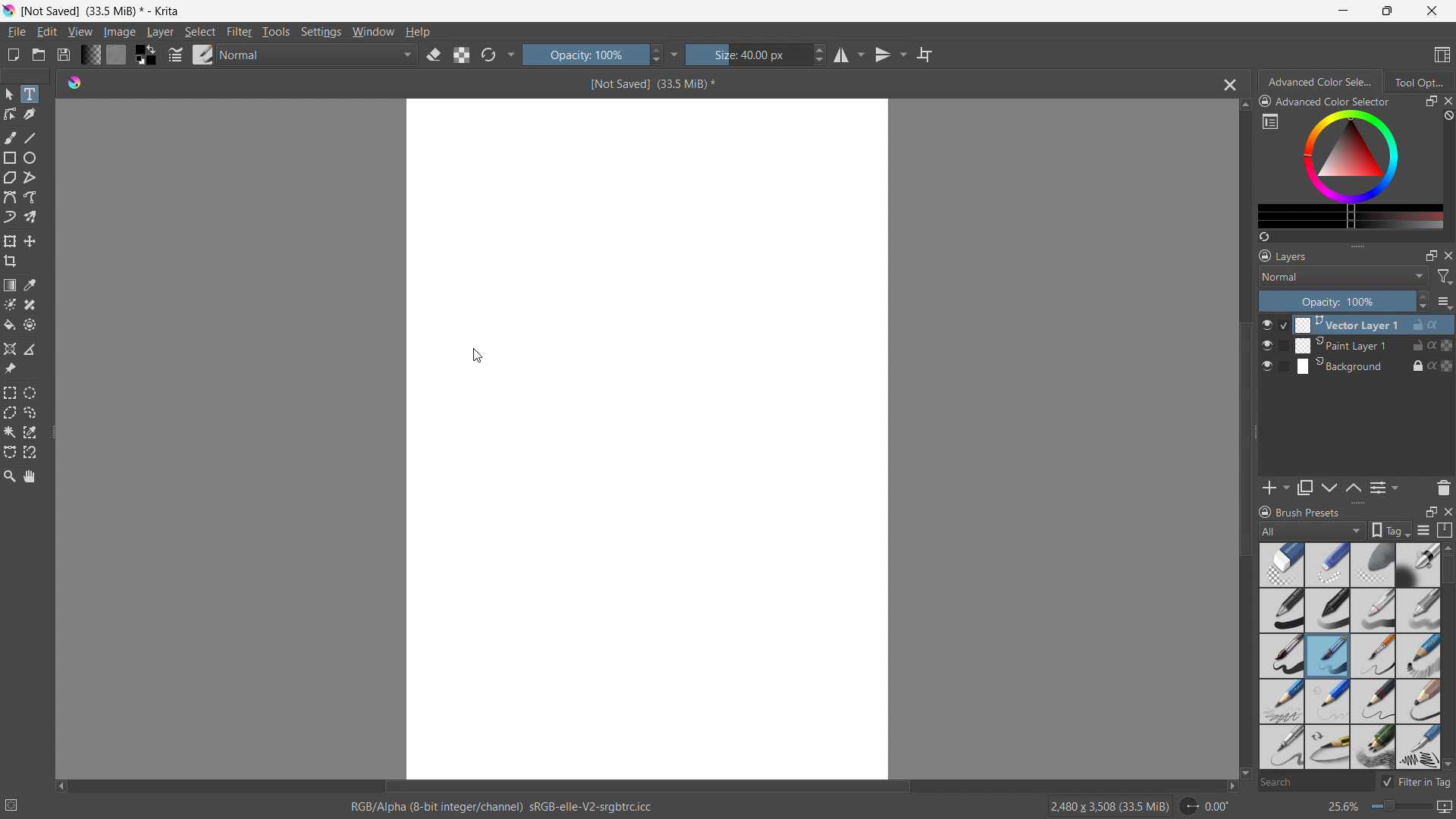 The image size is (1456, 819). Describe the element at coordinates (1267, 345) in the screenshot. I see `layer visibility toggle` at that location.